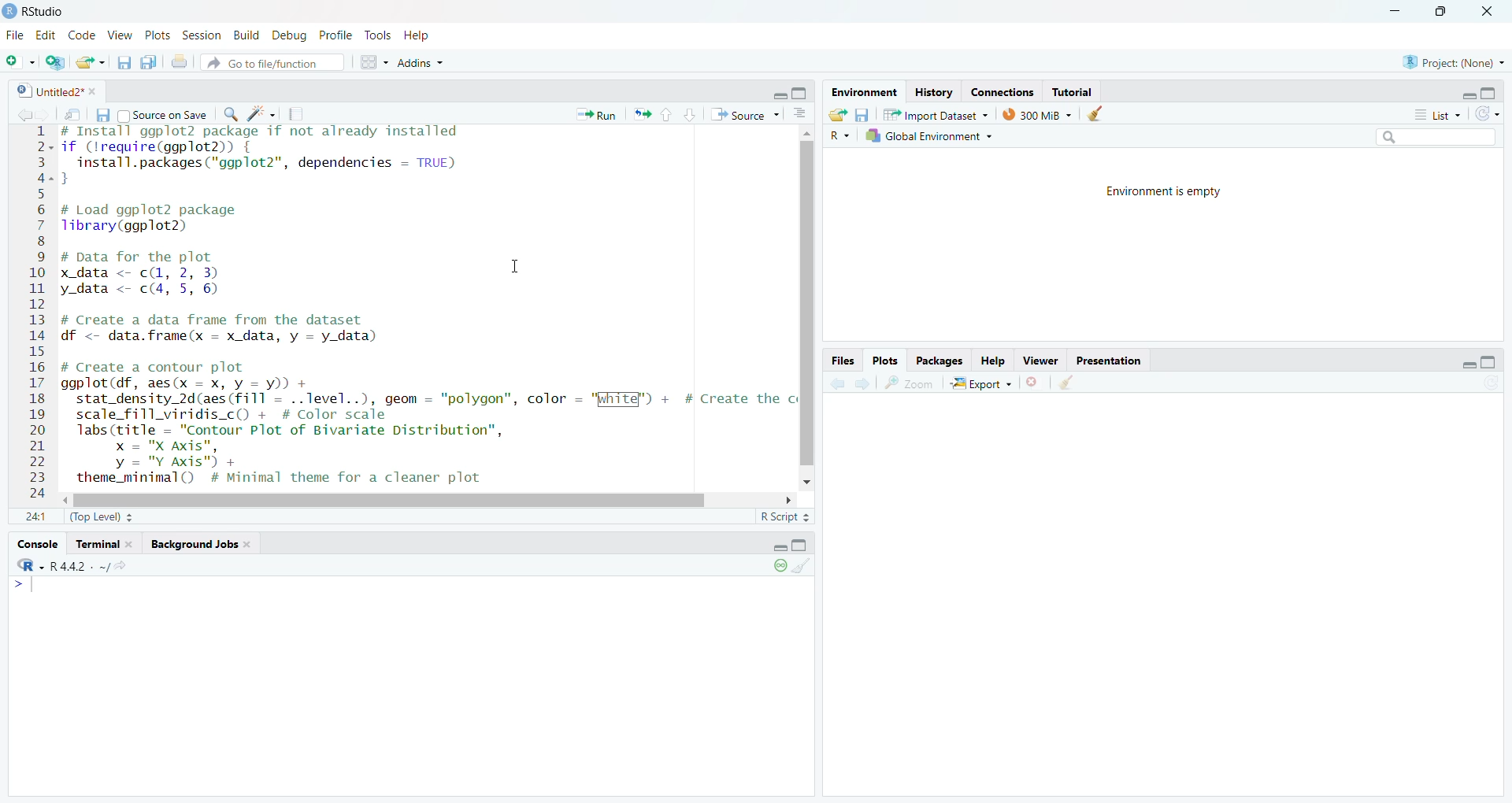  I want to click on Environment is empty, so click(1158, 191).